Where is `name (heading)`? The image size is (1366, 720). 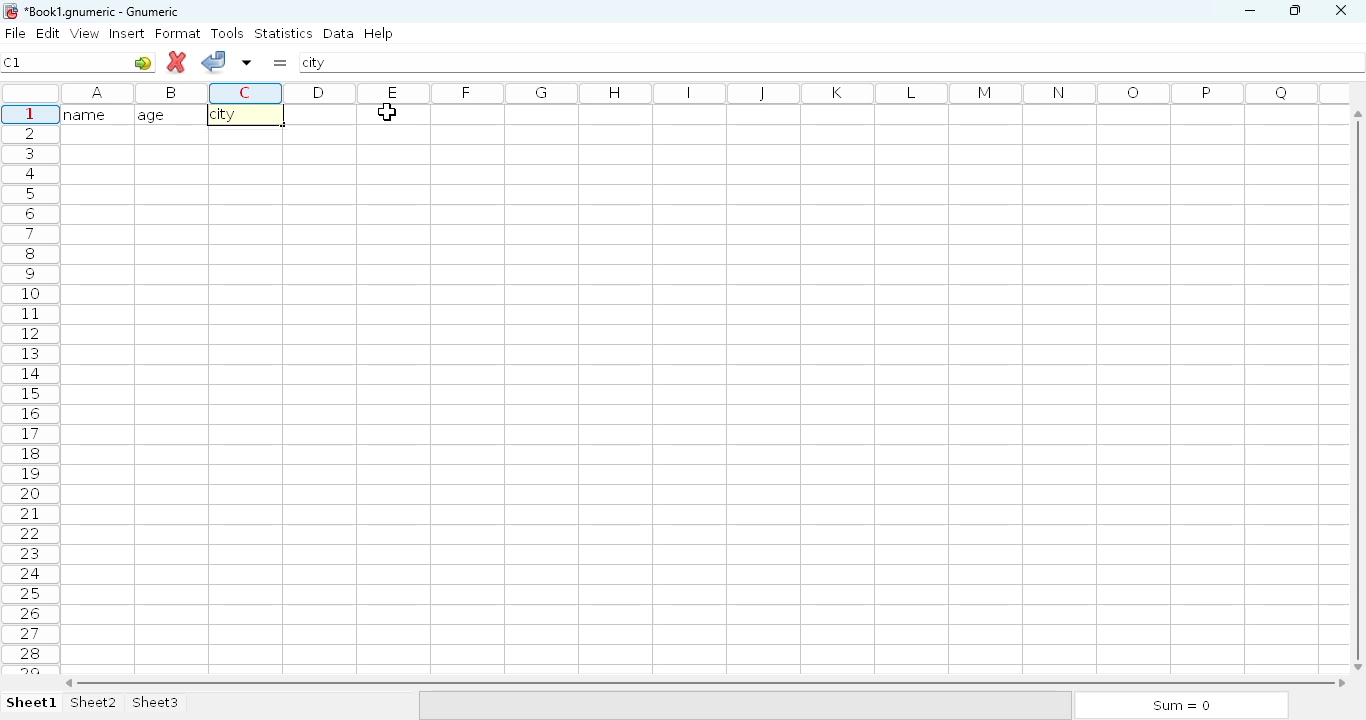
name (heading) is located at coordinates (91, 114).